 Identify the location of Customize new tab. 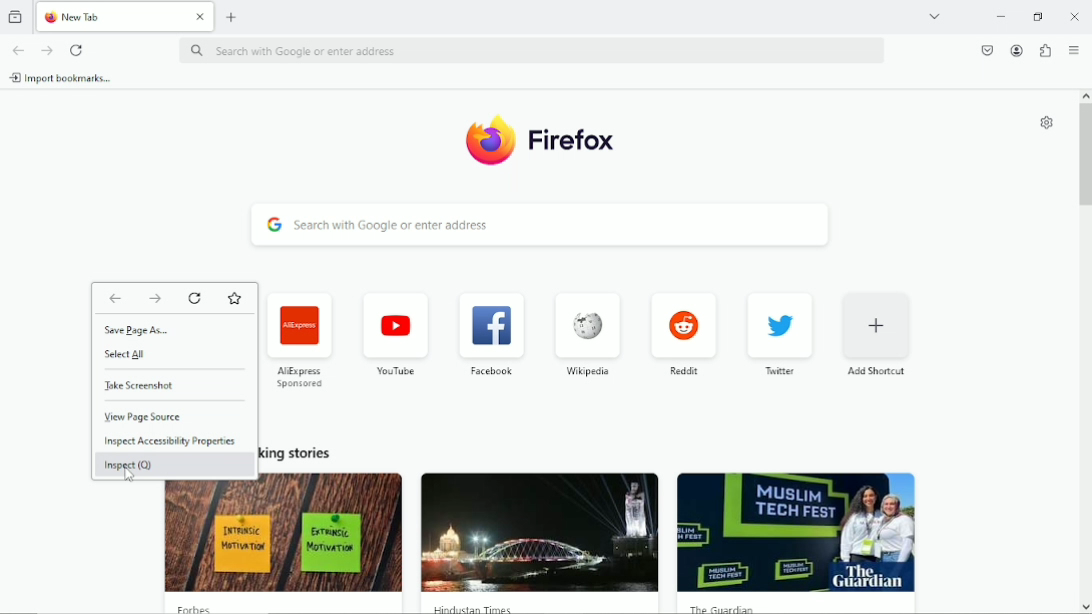
(1044, 123).